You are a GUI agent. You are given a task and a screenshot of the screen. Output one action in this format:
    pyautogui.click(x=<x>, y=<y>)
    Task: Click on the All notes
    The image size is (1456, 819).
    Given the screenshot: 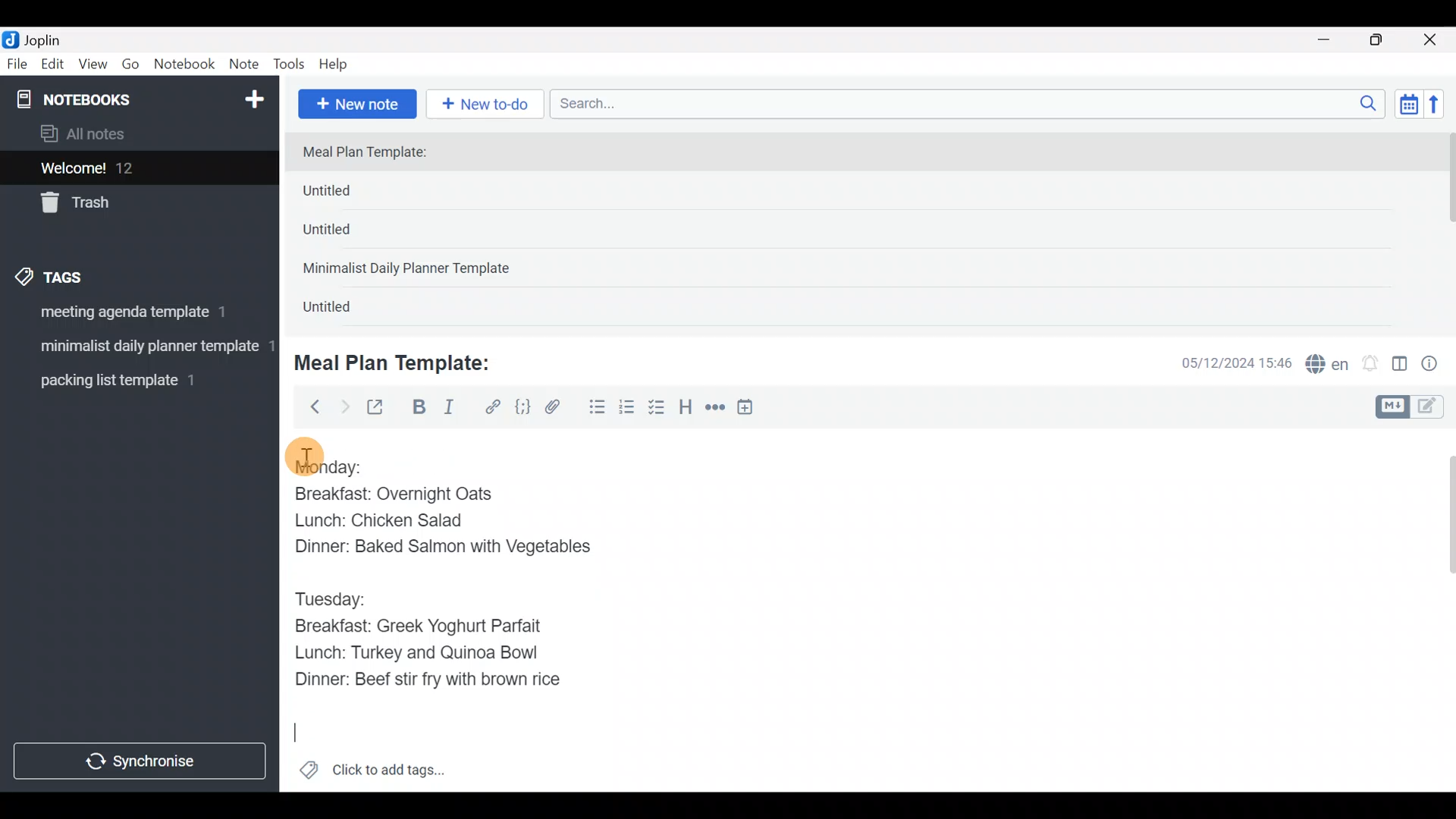 What is the action you would take?
    pyautogui.click(x=136, y=135)
    